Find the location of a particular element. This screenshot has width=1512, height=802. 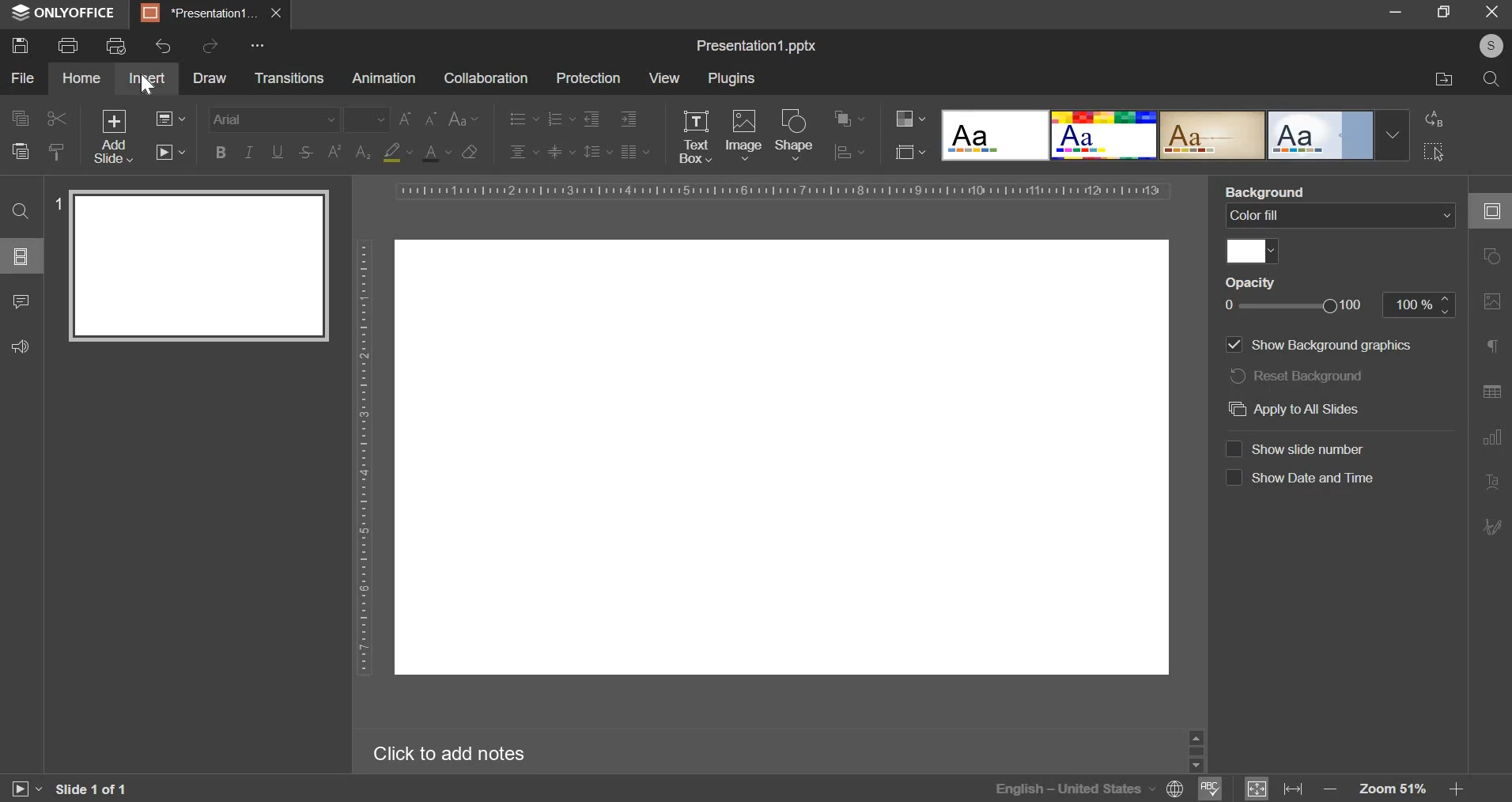

cut is located at coordinates (54, 119).